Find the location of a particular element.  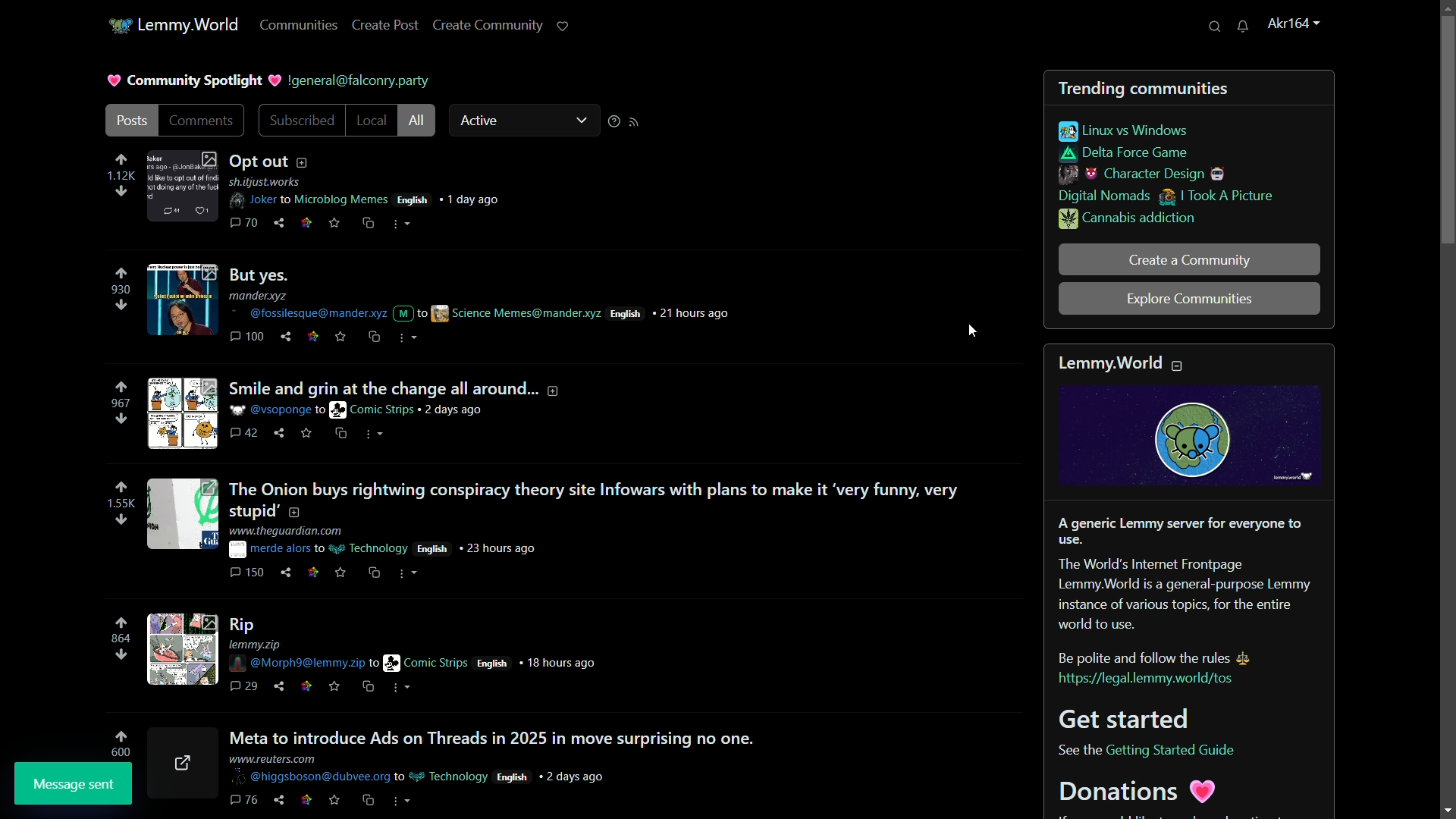

cross share is located at coordinates (376, 334).